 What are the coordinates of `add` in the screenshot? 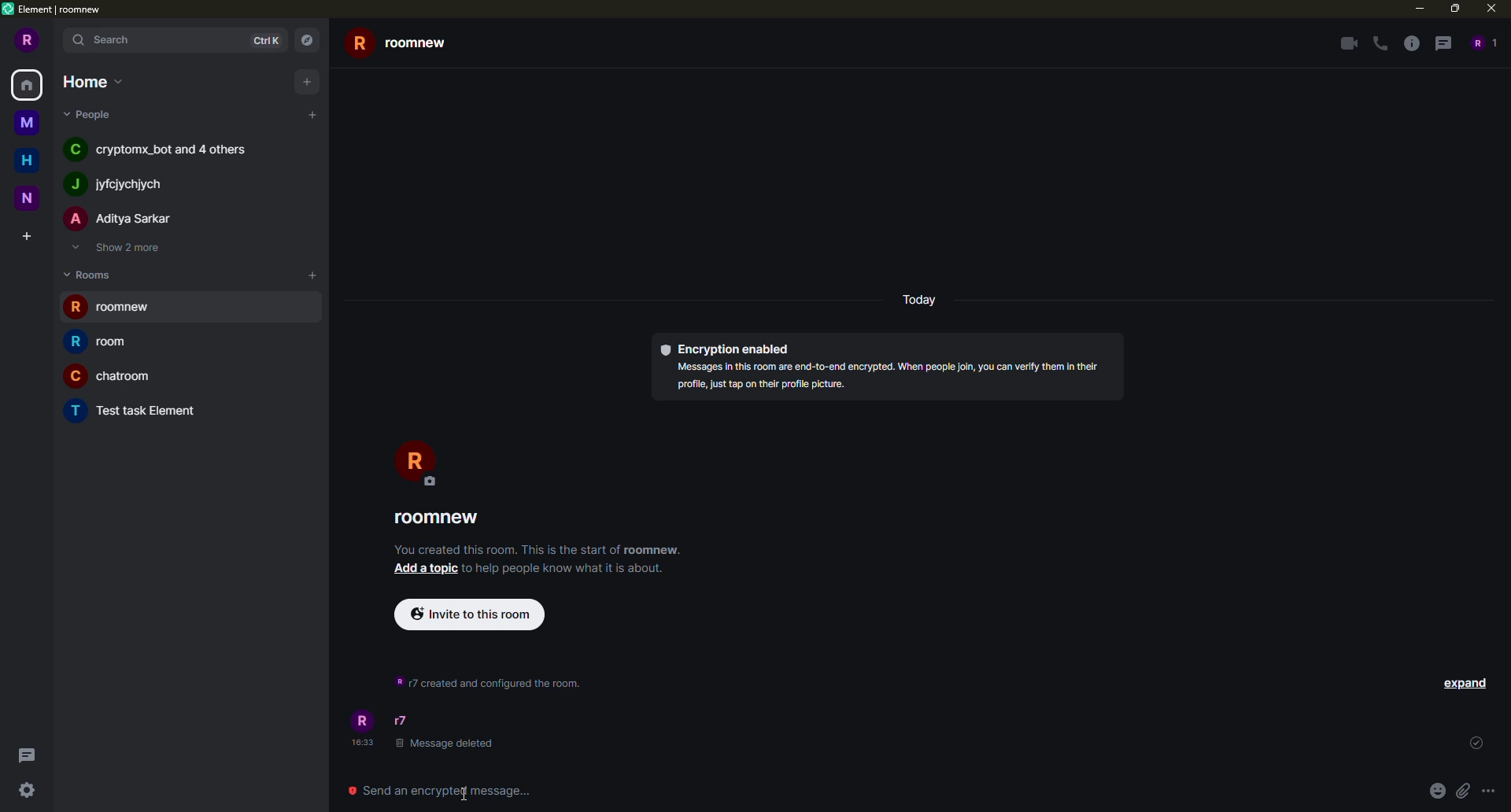 It's located at (309, 81).